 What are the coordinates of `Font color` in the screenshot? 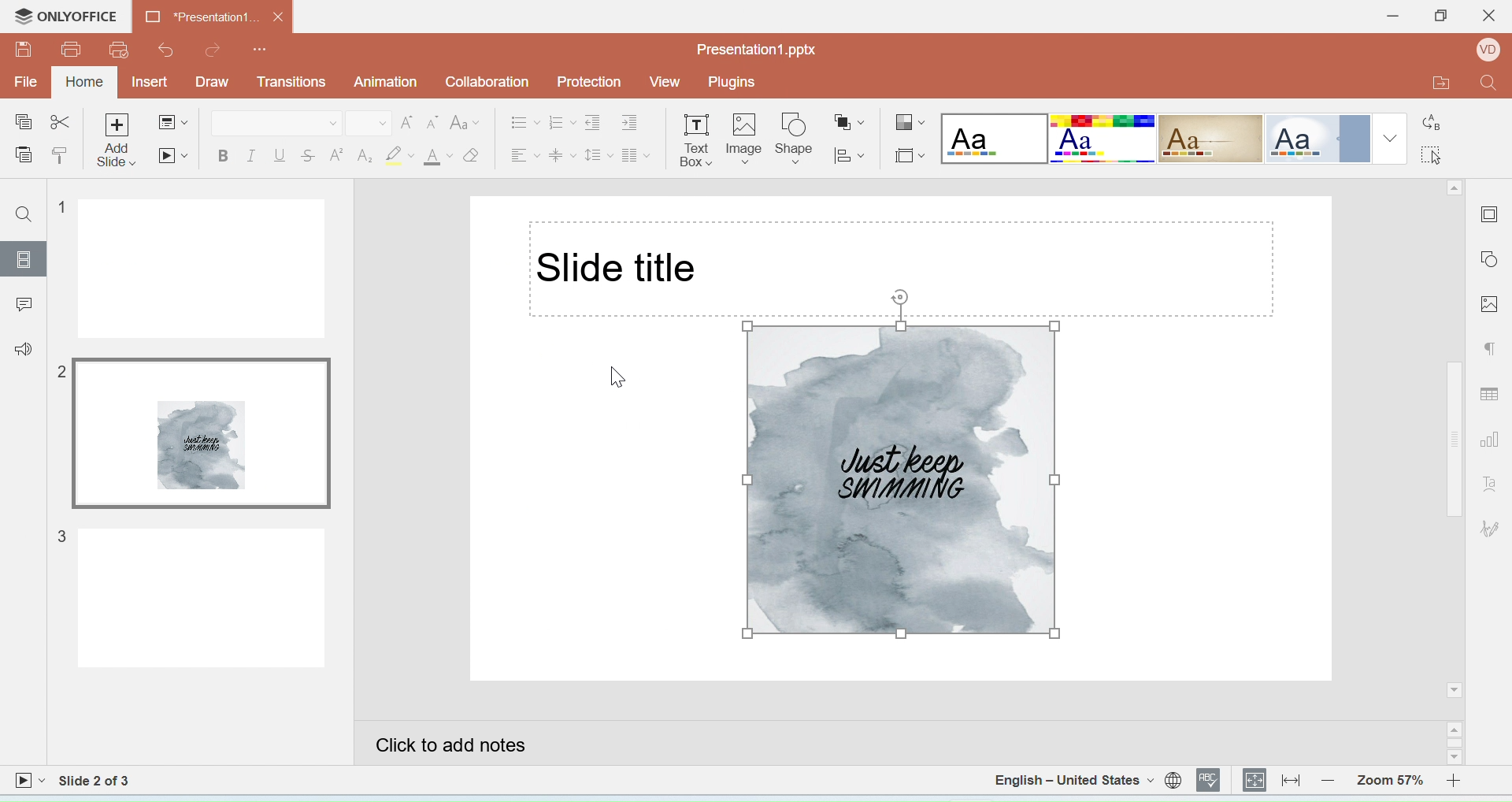 It's located at (439, 157).